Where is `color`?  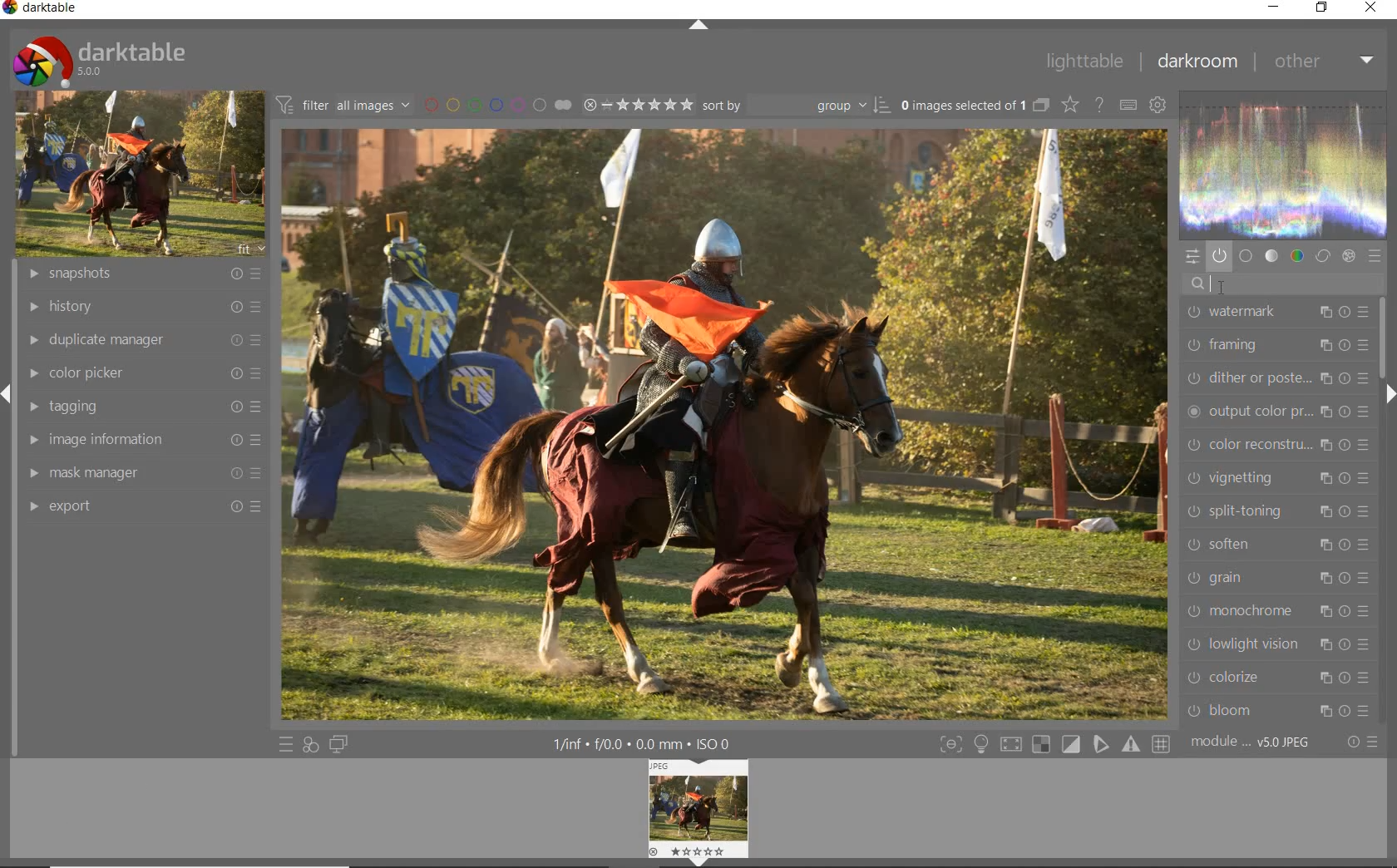 color is located at coordinates (1298, 256).